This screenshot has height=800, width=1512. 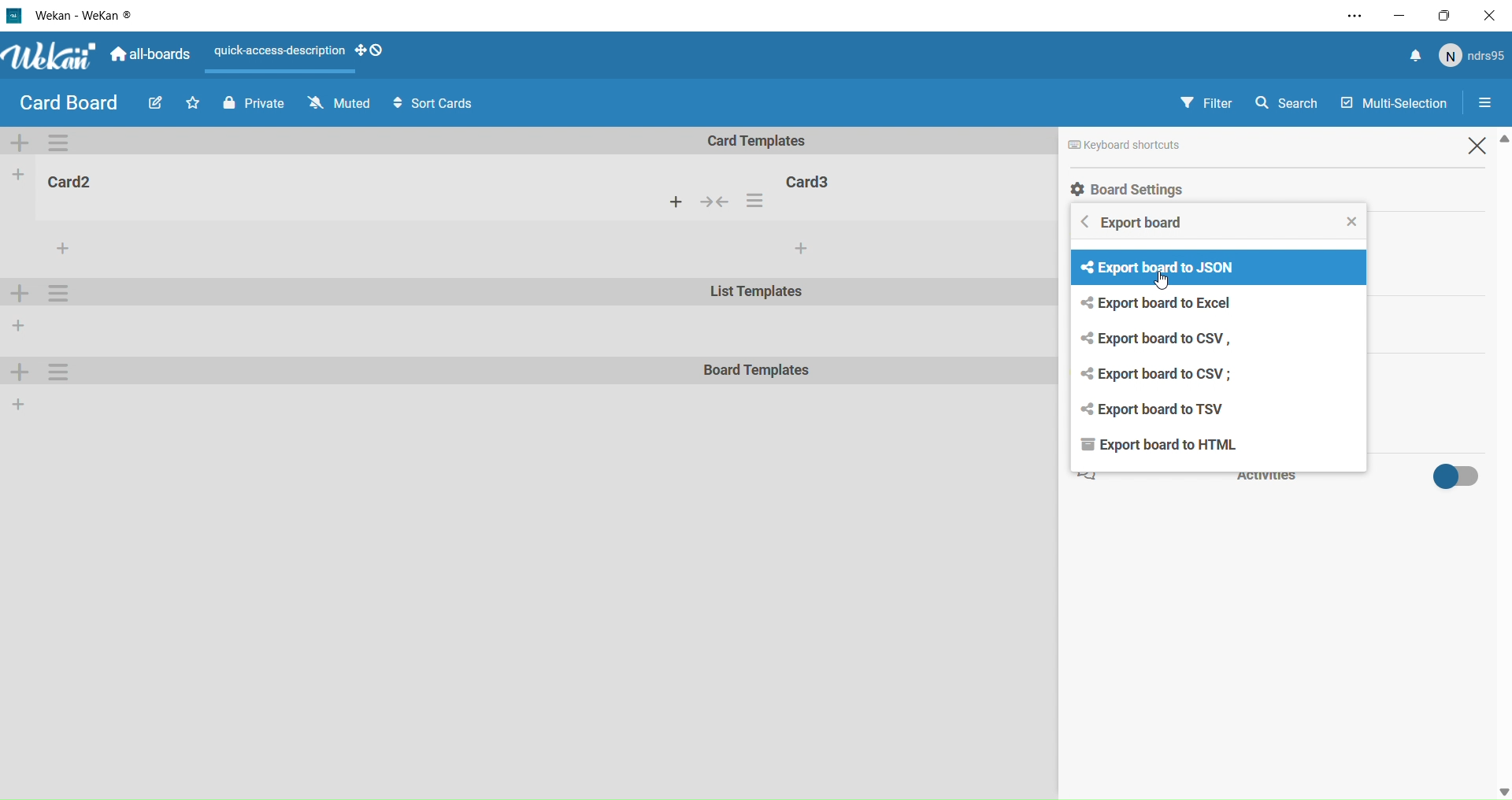 I want to click on Export JSON, so click(x=1154, y=267).